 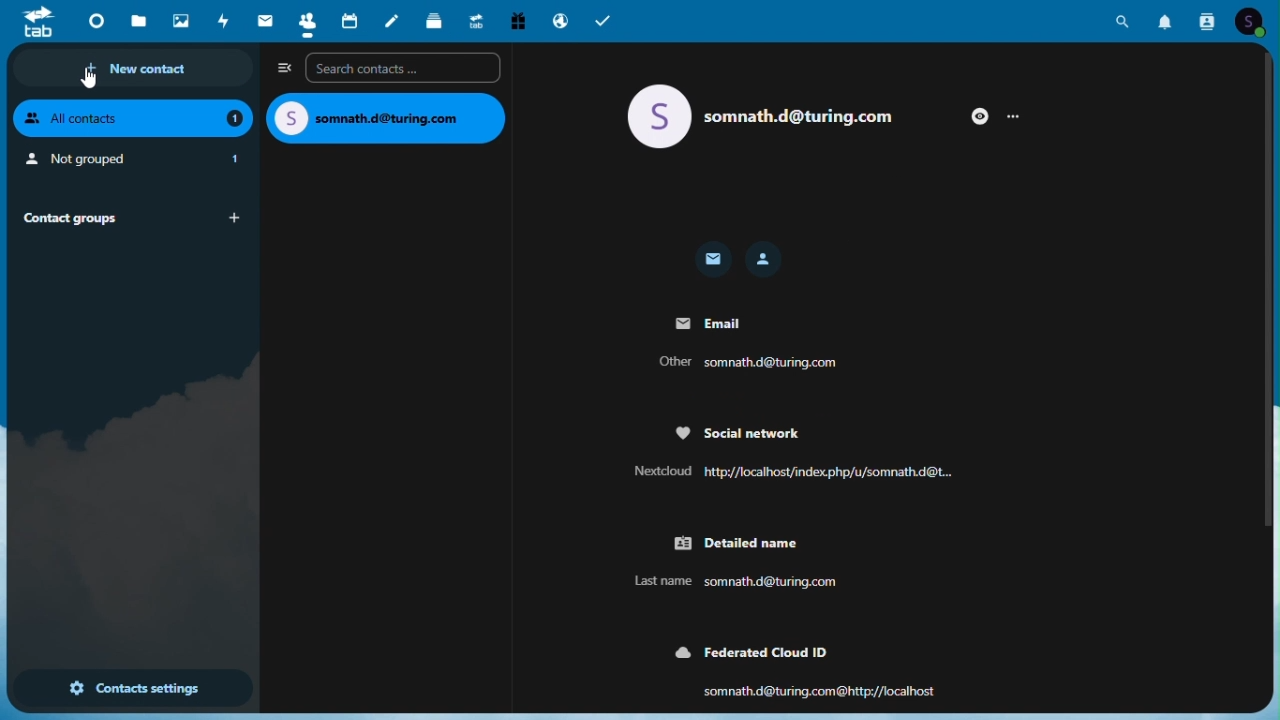 I want to click on Account icon, so click(x=1258, y=22).